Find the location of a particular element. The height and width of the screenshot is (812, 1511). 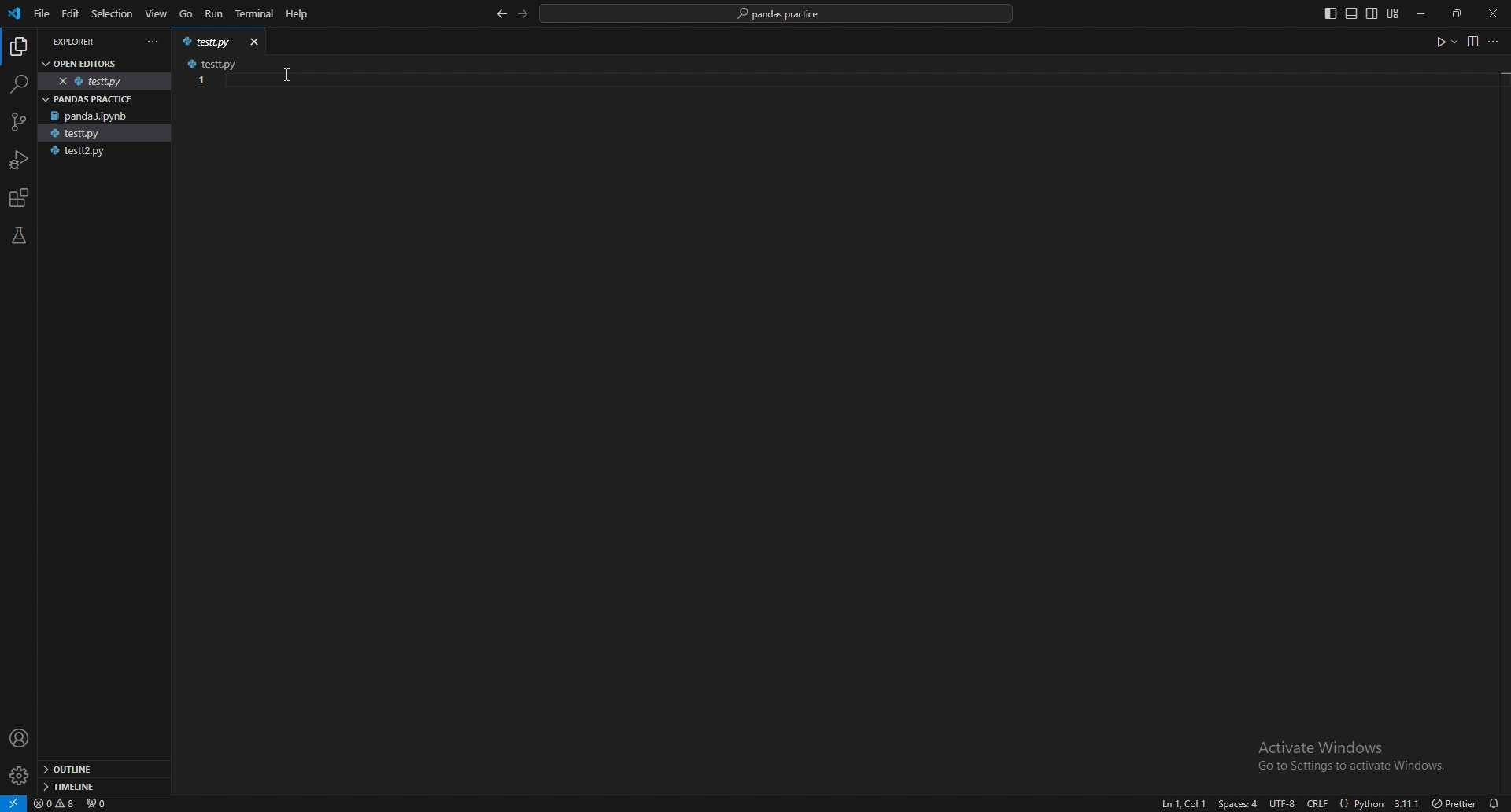

file is located at coordinates (42, 13).